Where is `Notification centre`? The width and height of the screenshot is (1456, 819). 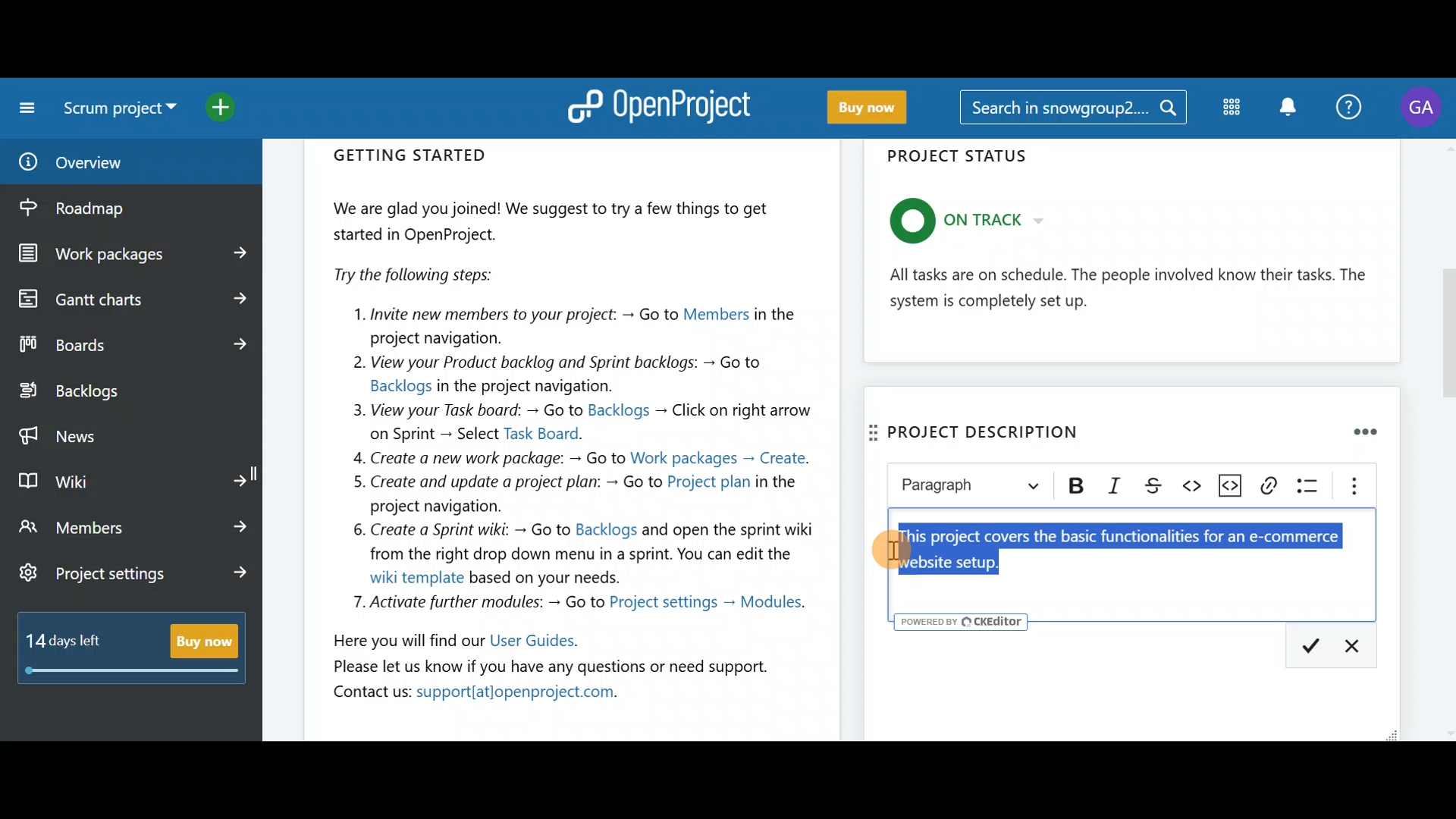 Notification centre is located at coordinates (1284, 106).